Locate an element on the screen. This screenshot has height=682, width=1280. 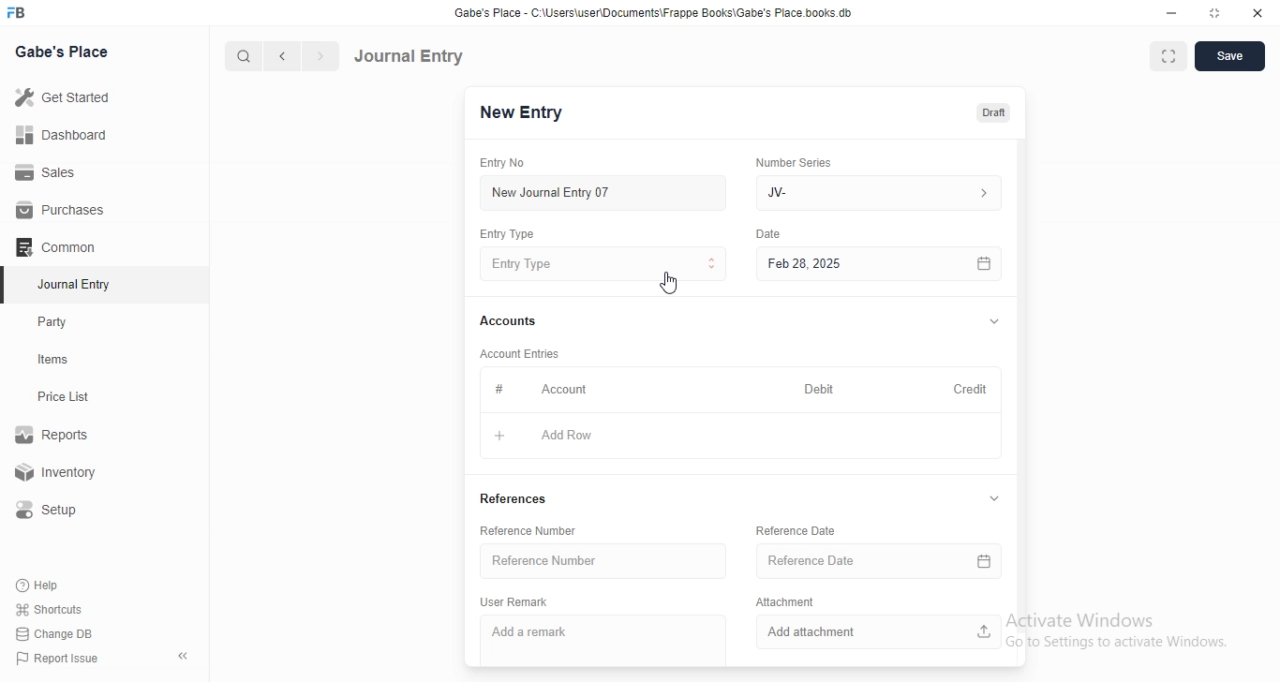
Accounts is located at coordinates (507, 320).